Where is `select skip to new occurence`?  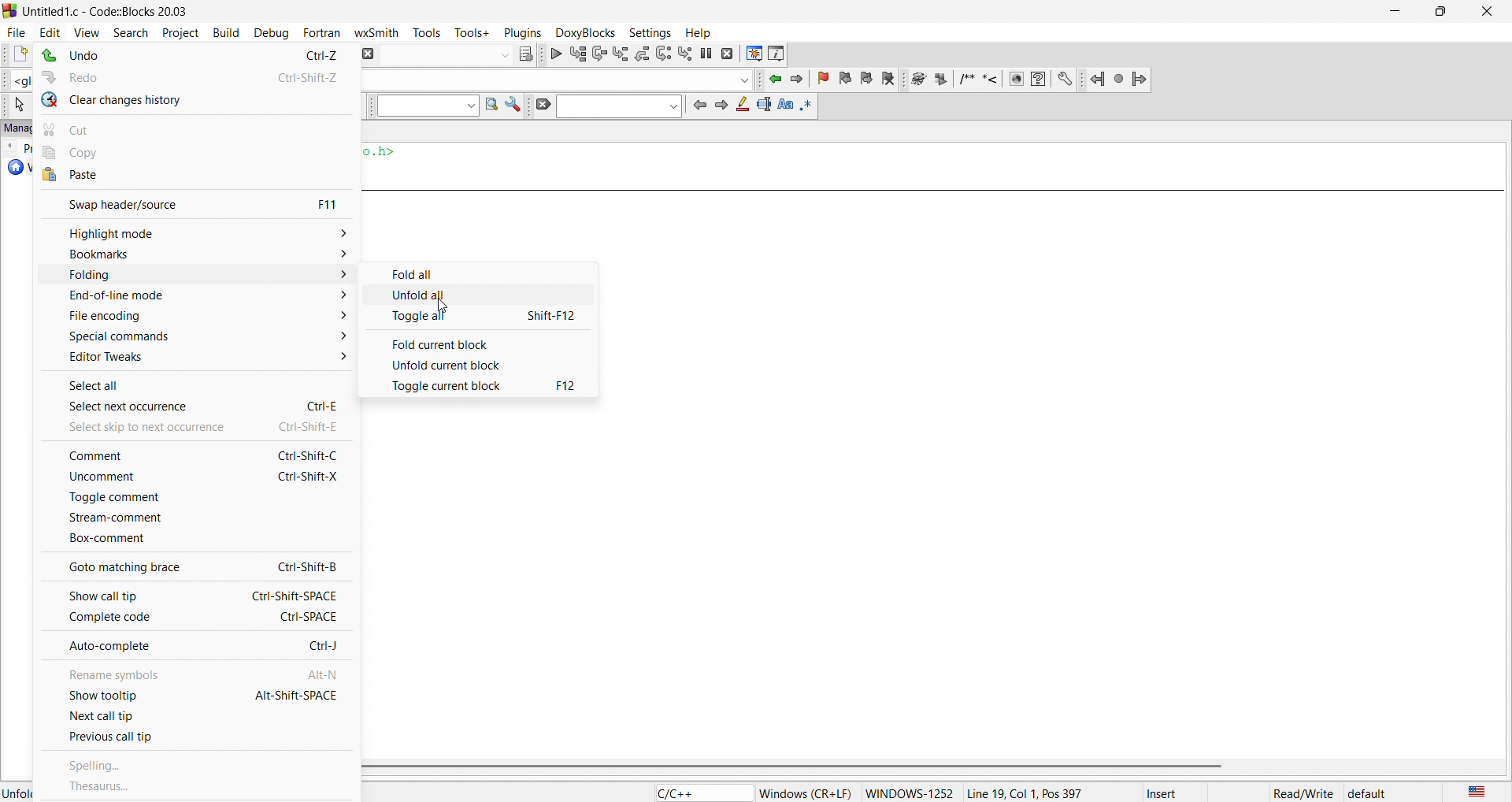 select skip to new occurence is located at coordinates (186, 426).